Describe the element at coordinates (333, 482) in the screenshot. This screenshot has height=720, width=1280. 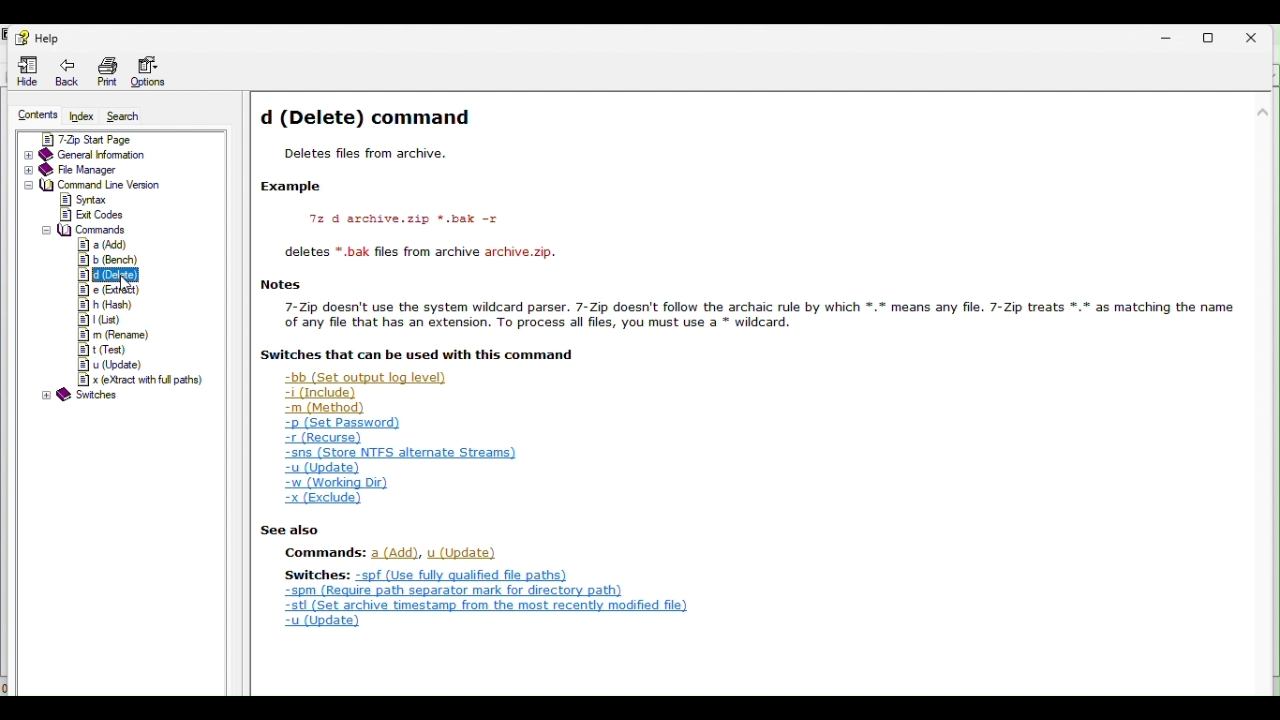
I see `-w (Working Dir)` at that location.